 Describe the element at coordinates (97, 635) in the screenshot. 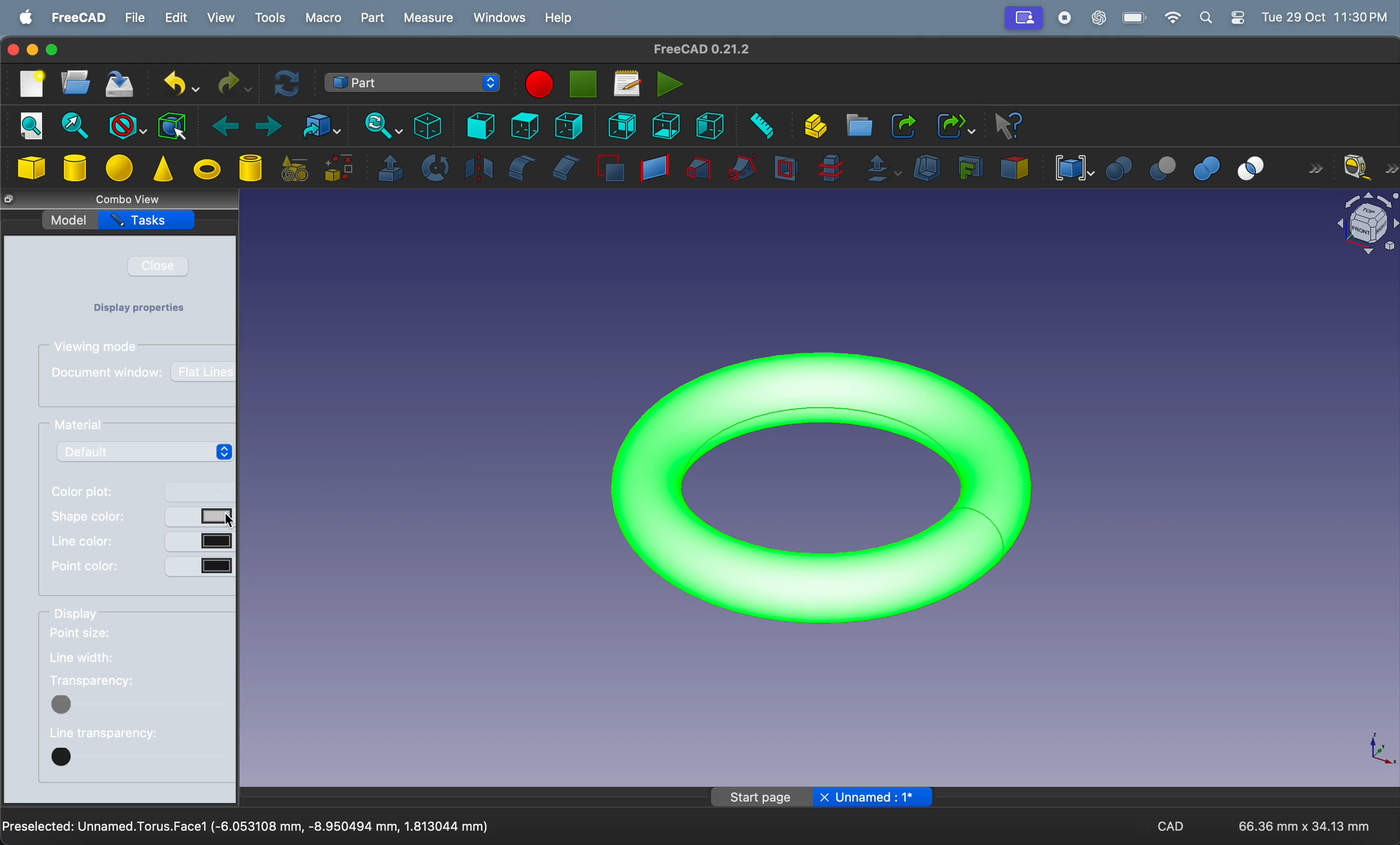

I see `point size` at that location.